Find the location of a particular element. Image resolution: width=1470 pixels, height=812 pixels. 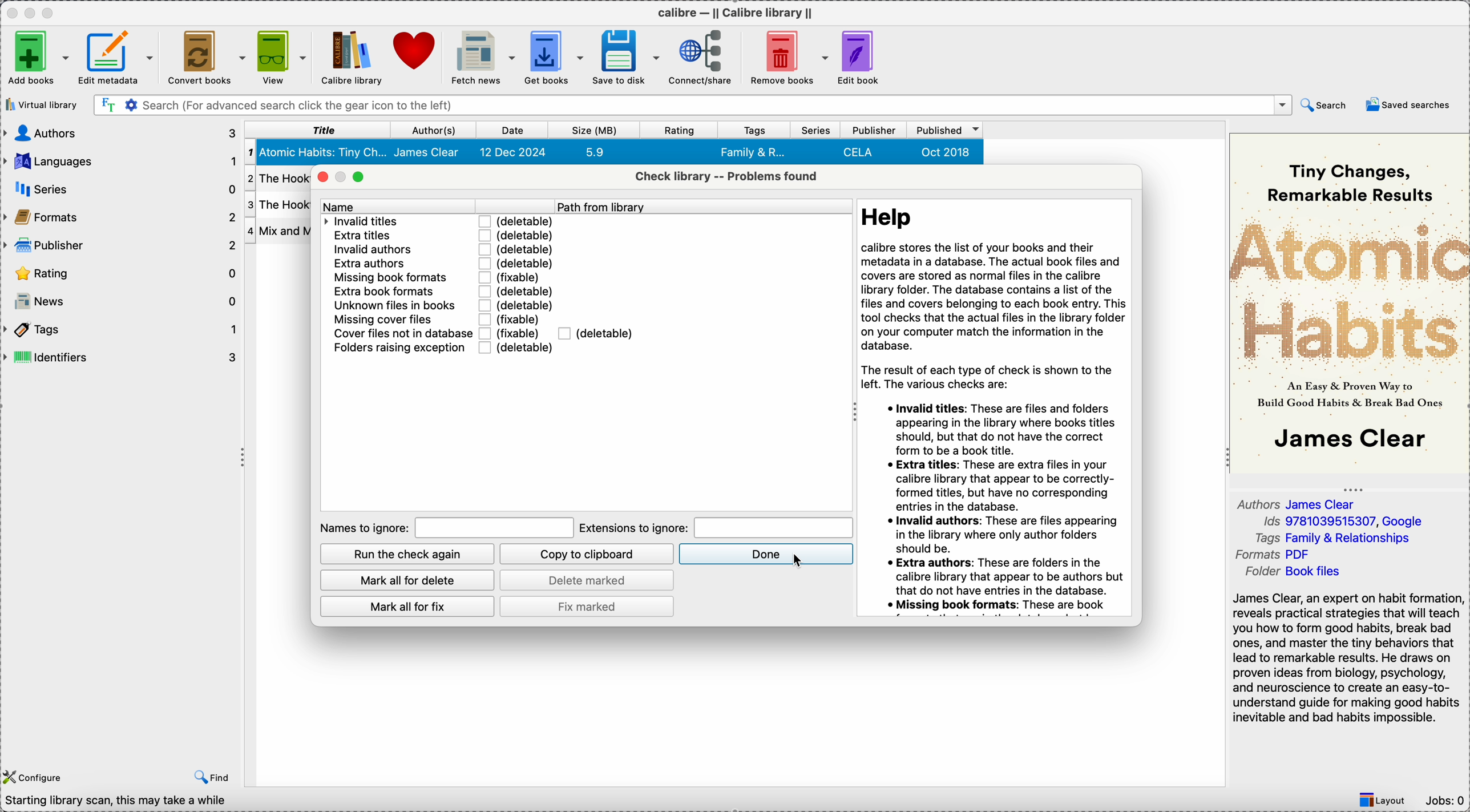

saved searches is located at coordinates (1408, 106).